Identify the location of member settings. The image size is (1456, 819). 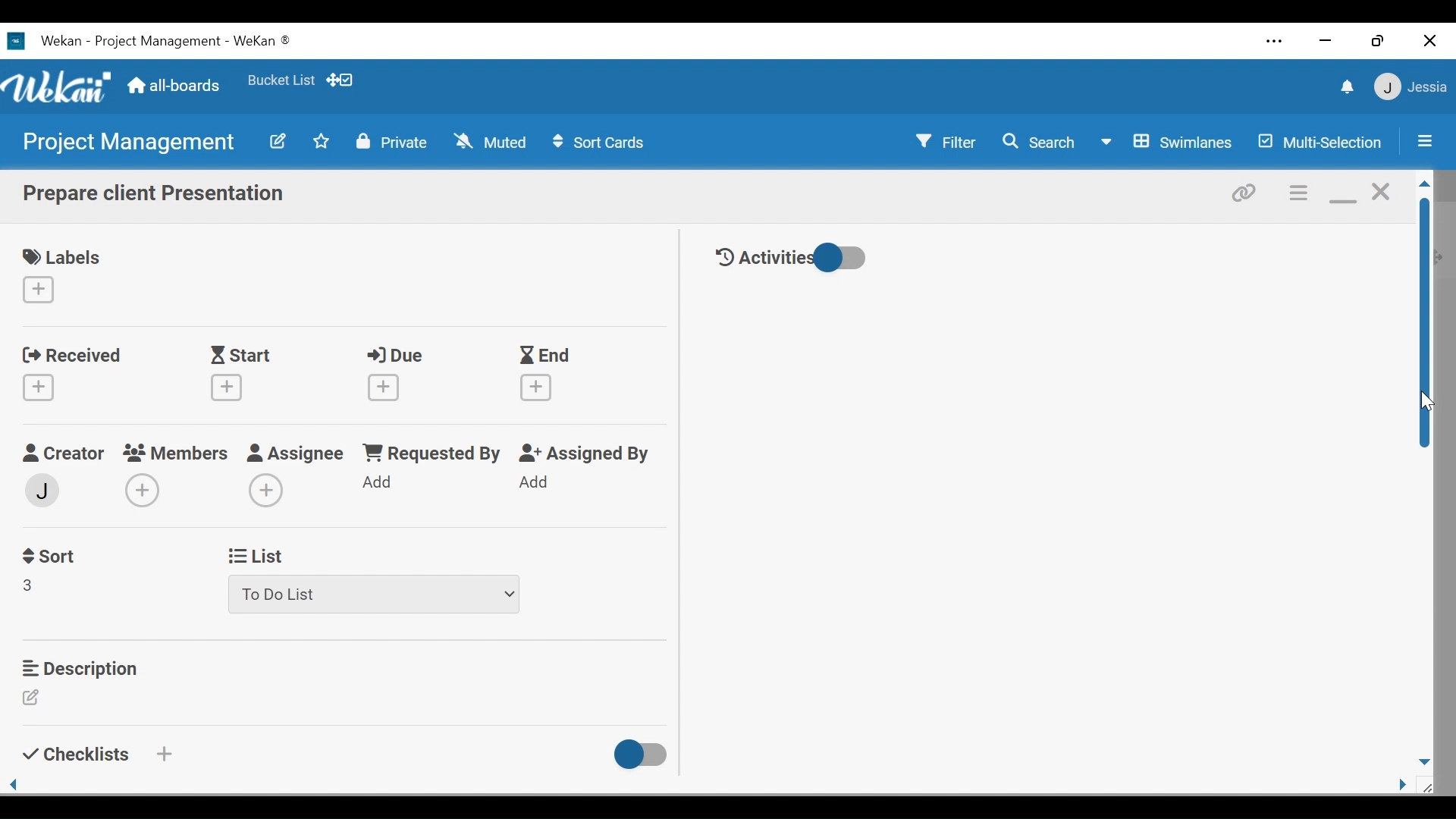
(1410, 86).